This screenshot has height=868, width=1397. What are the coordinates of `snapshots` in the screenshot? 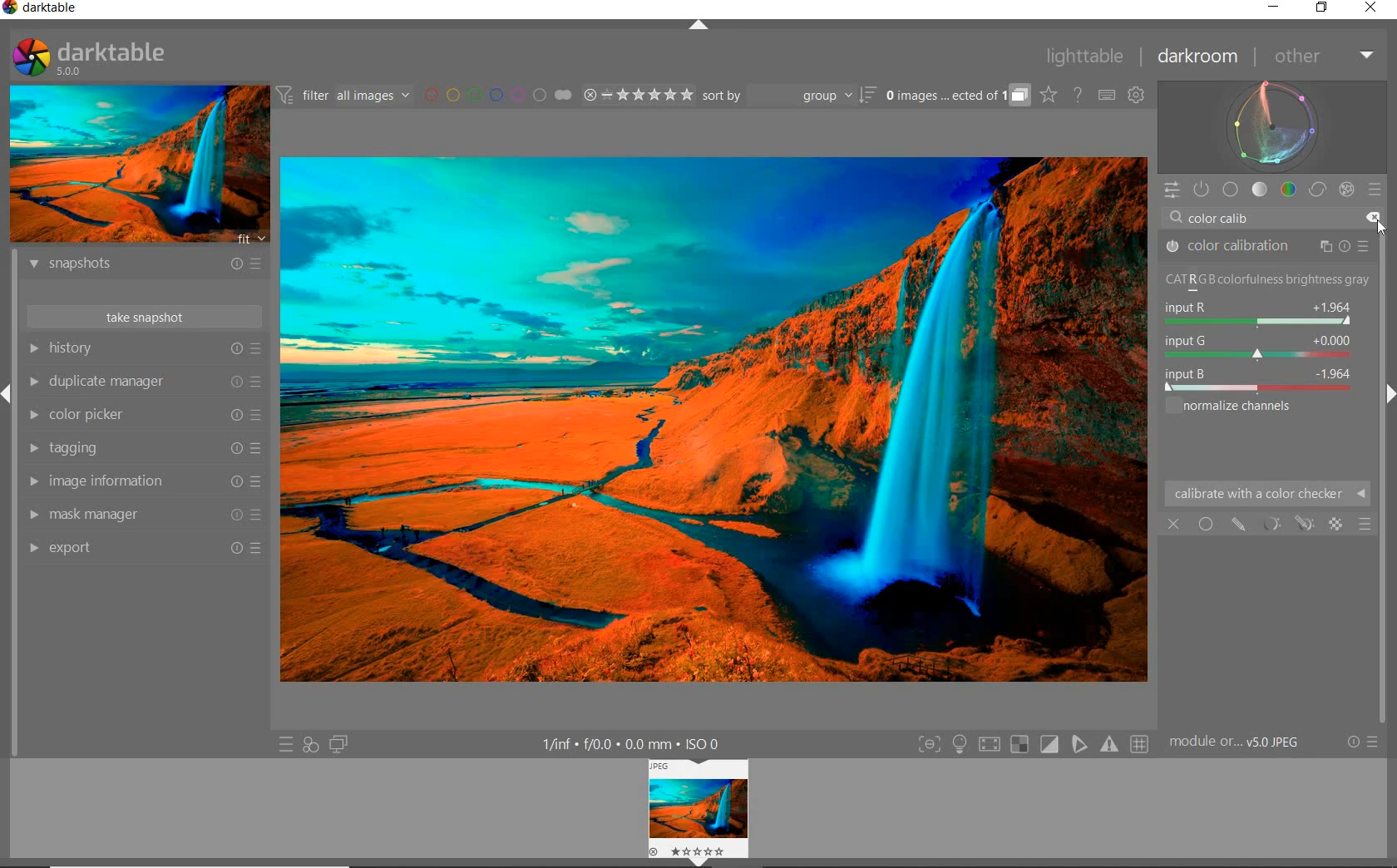 It's located at (149, 266).